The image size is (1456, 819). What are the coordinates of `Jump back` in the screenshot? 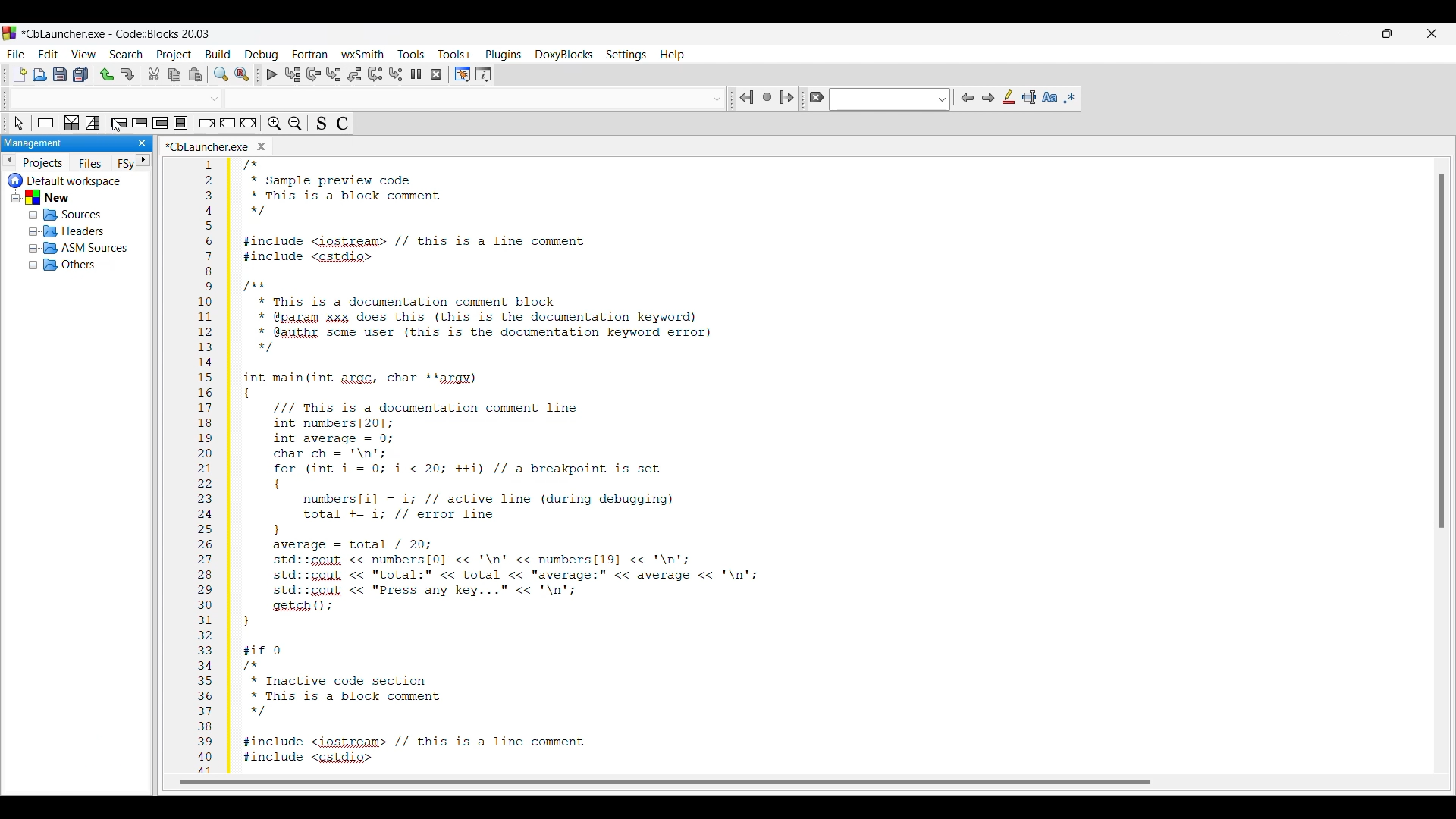 It's located at (747, 98).